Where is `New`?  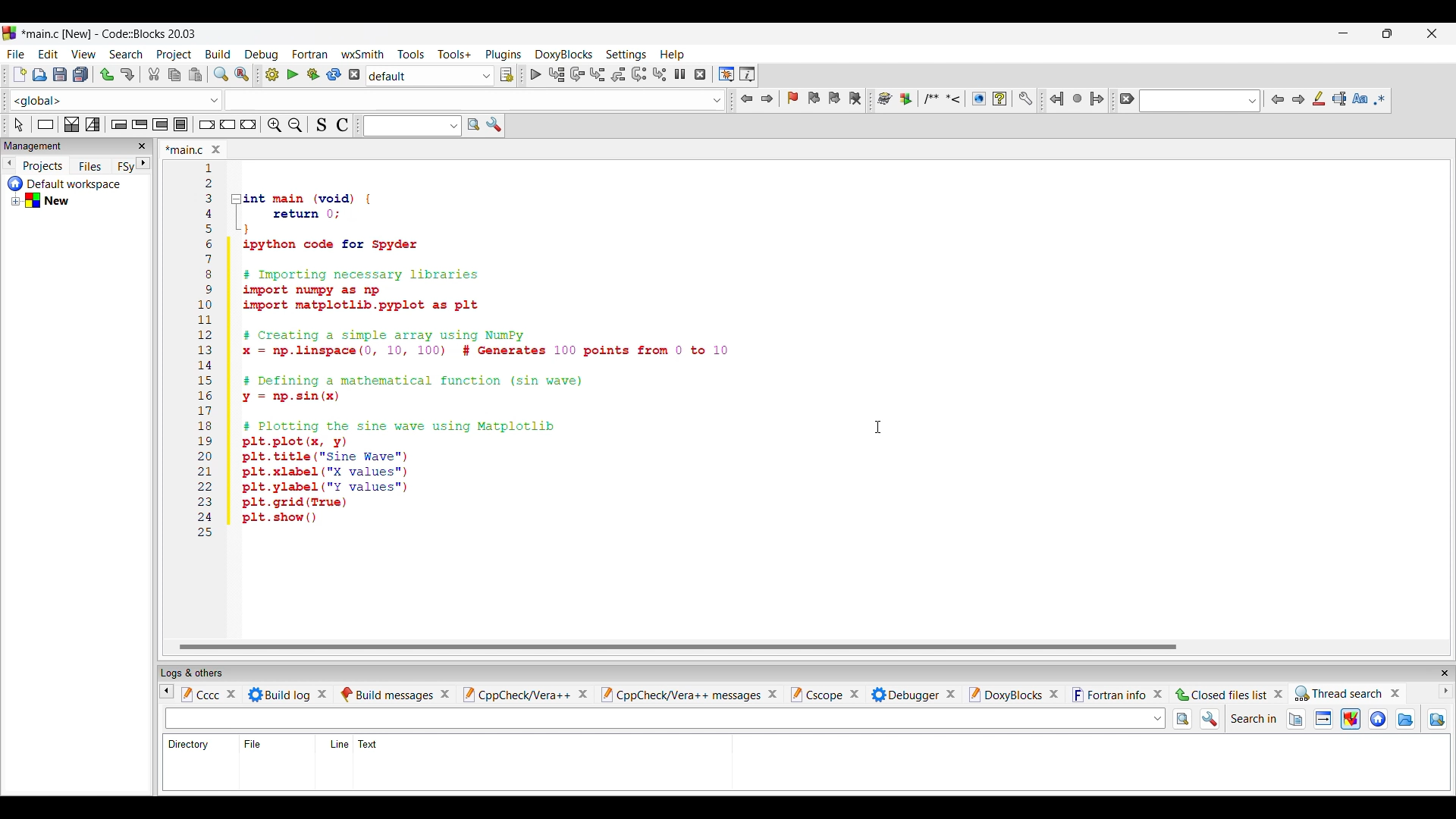 New is located at coordinates (48, 201).